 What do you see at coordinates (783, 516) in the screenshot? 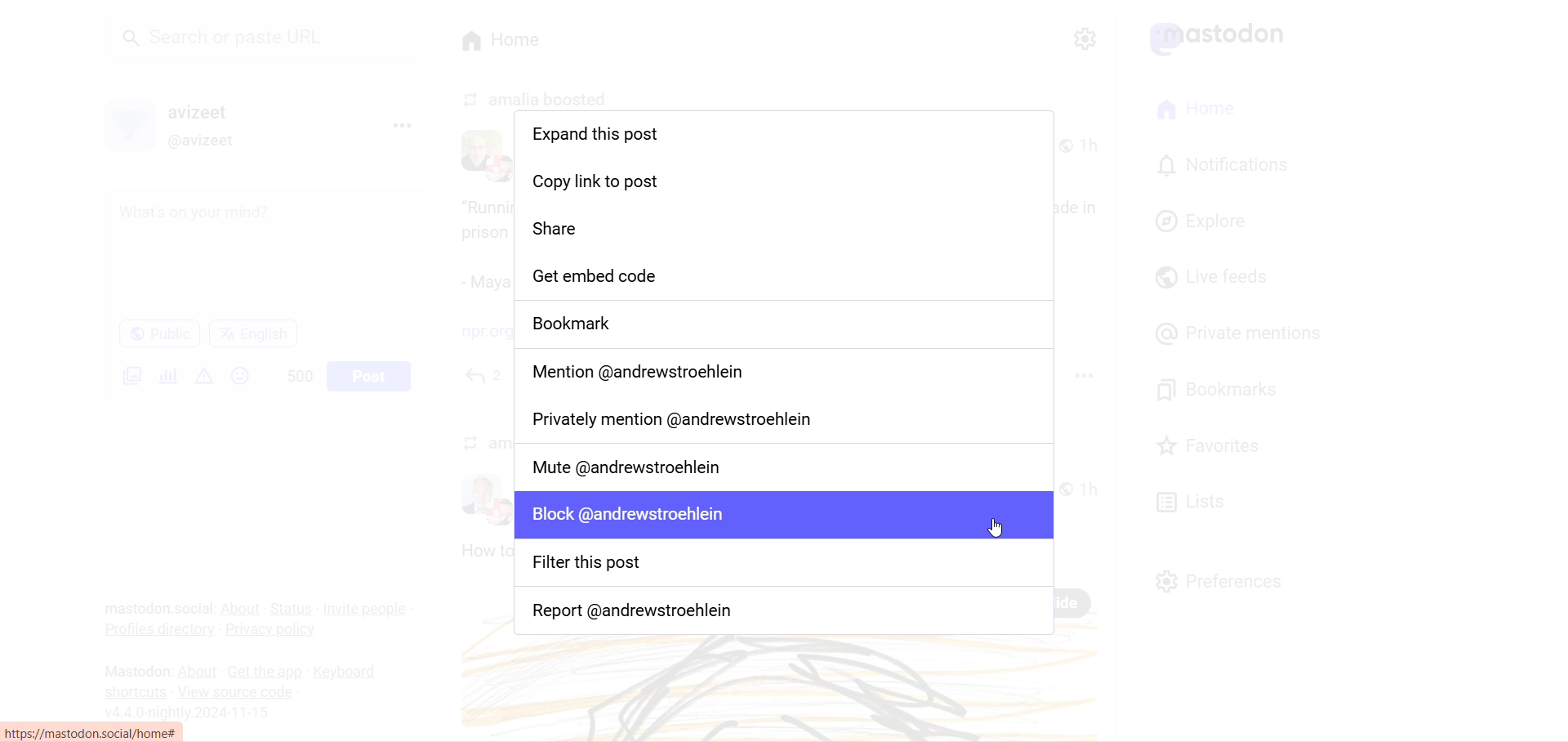
I see `Block user` at bounding box center [783, 516].